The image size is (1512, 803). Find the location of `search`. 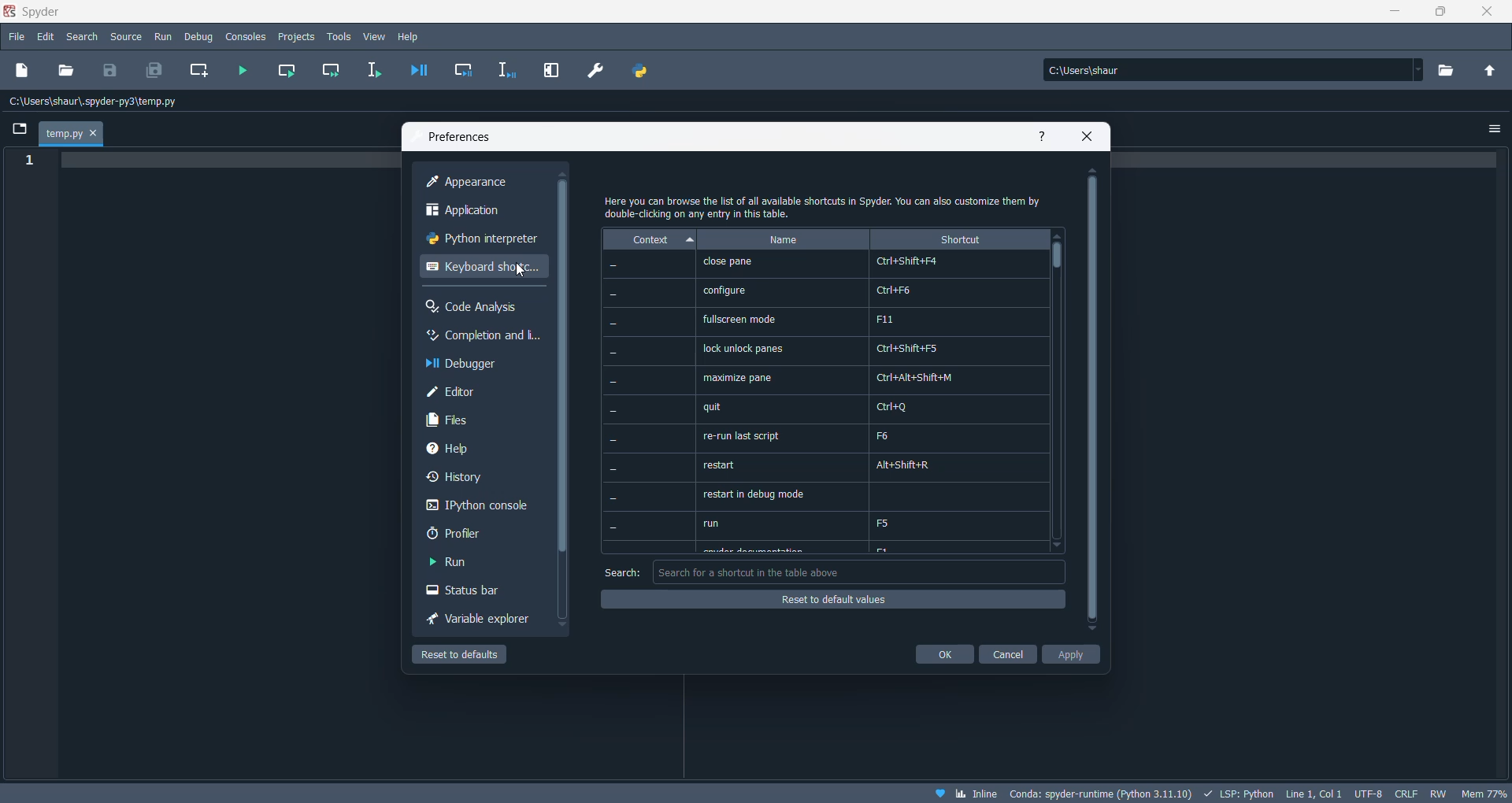

search is located at coordinates (82, 39).